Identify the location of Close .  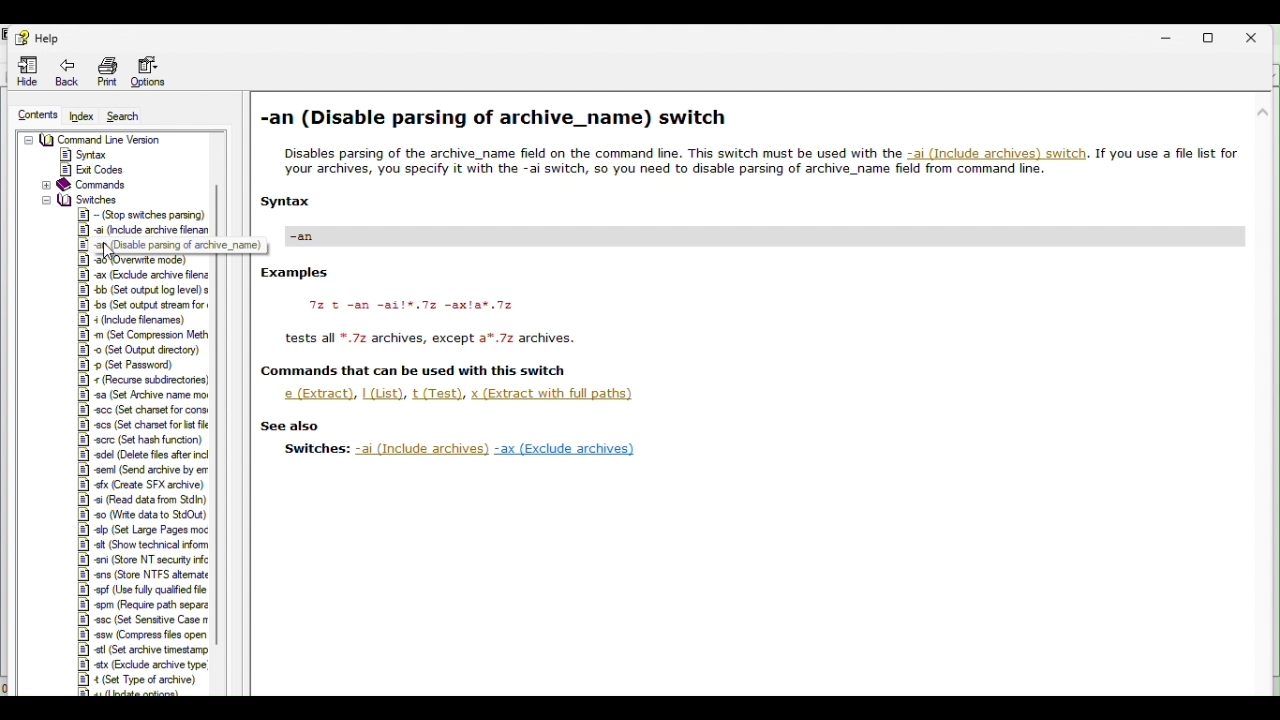
(1259, 36).